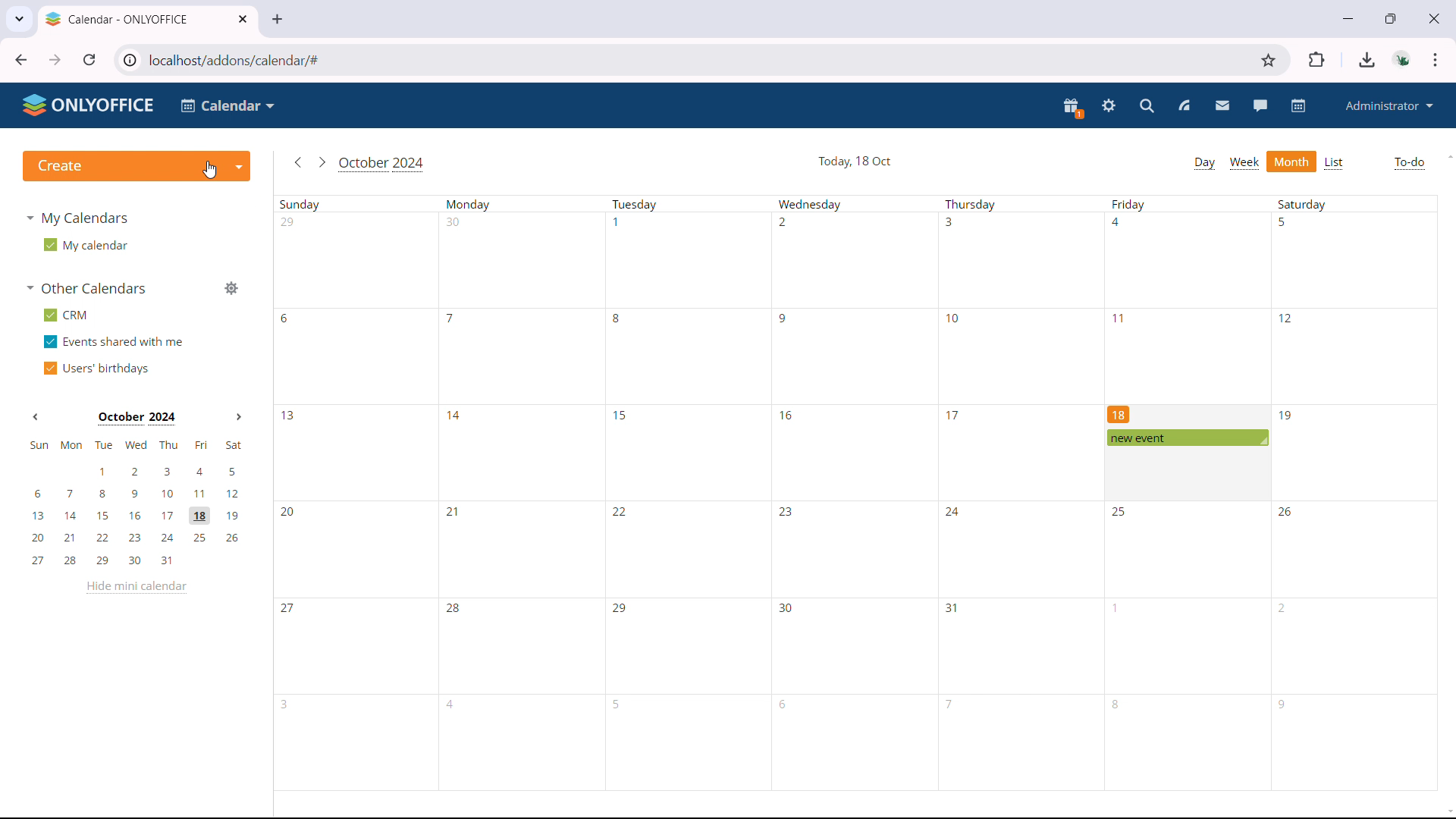  Describe the element at coordinates (1287, 510) in the screenshot. I see `26` at that location.